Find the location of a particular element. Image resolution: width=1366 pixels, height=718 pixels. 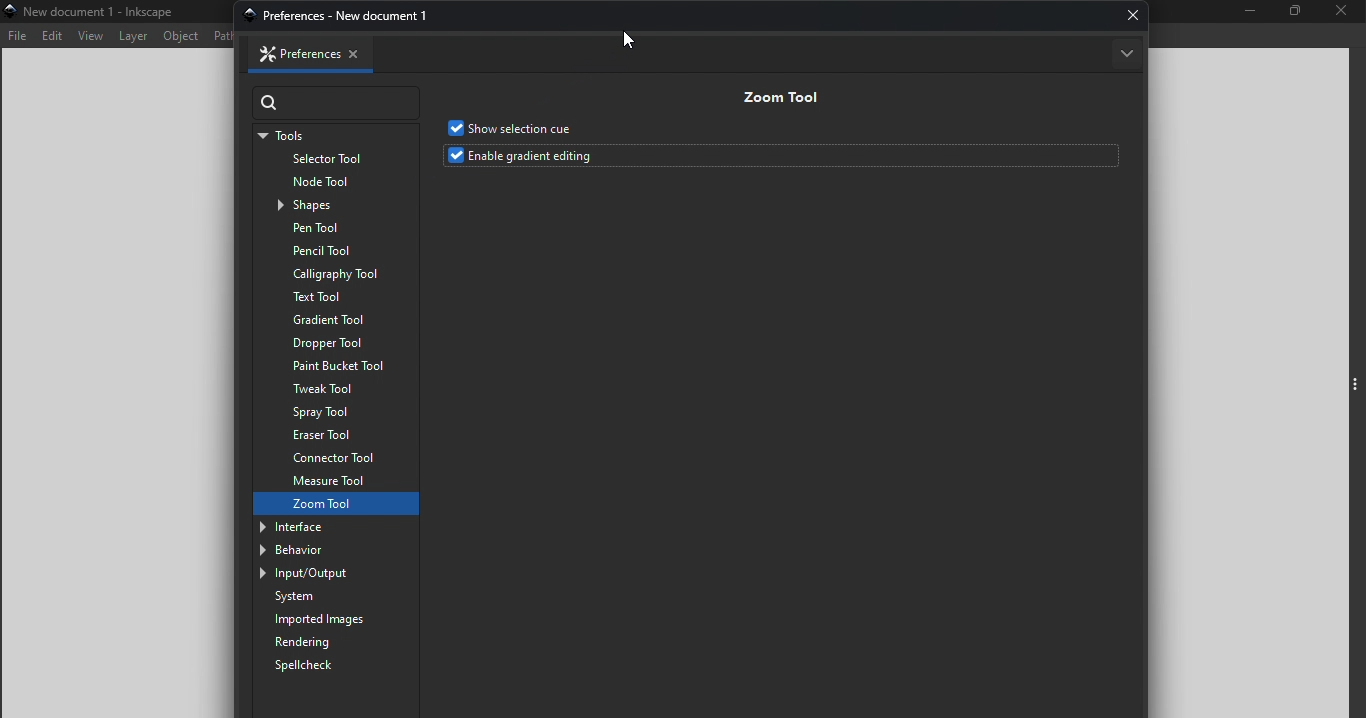

More options is located at coordinates (1128, 53).